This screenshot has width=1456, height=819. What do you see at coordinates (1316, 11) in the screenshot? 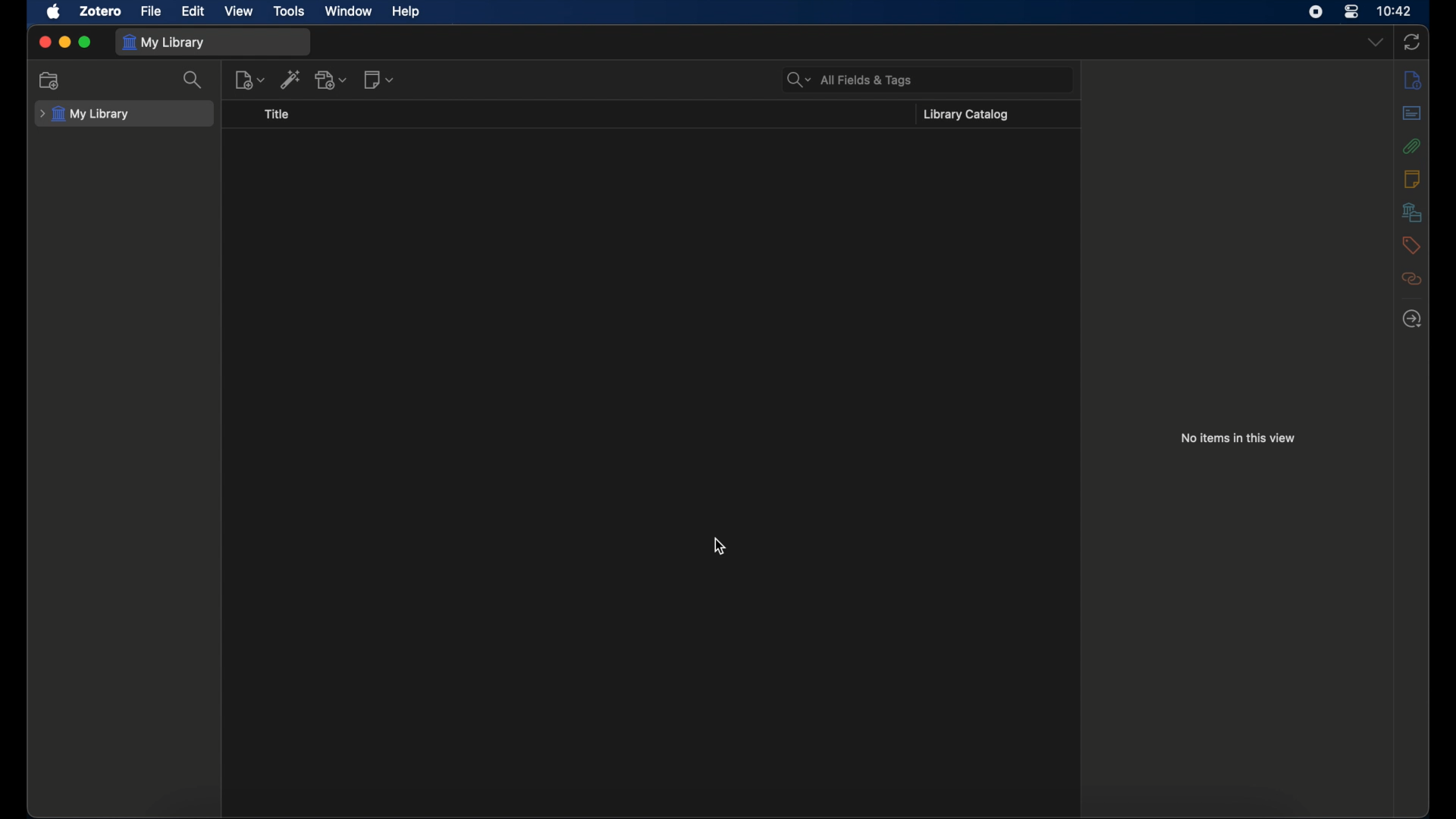
I see `screen recorder` at bounding box center [1316, 11].